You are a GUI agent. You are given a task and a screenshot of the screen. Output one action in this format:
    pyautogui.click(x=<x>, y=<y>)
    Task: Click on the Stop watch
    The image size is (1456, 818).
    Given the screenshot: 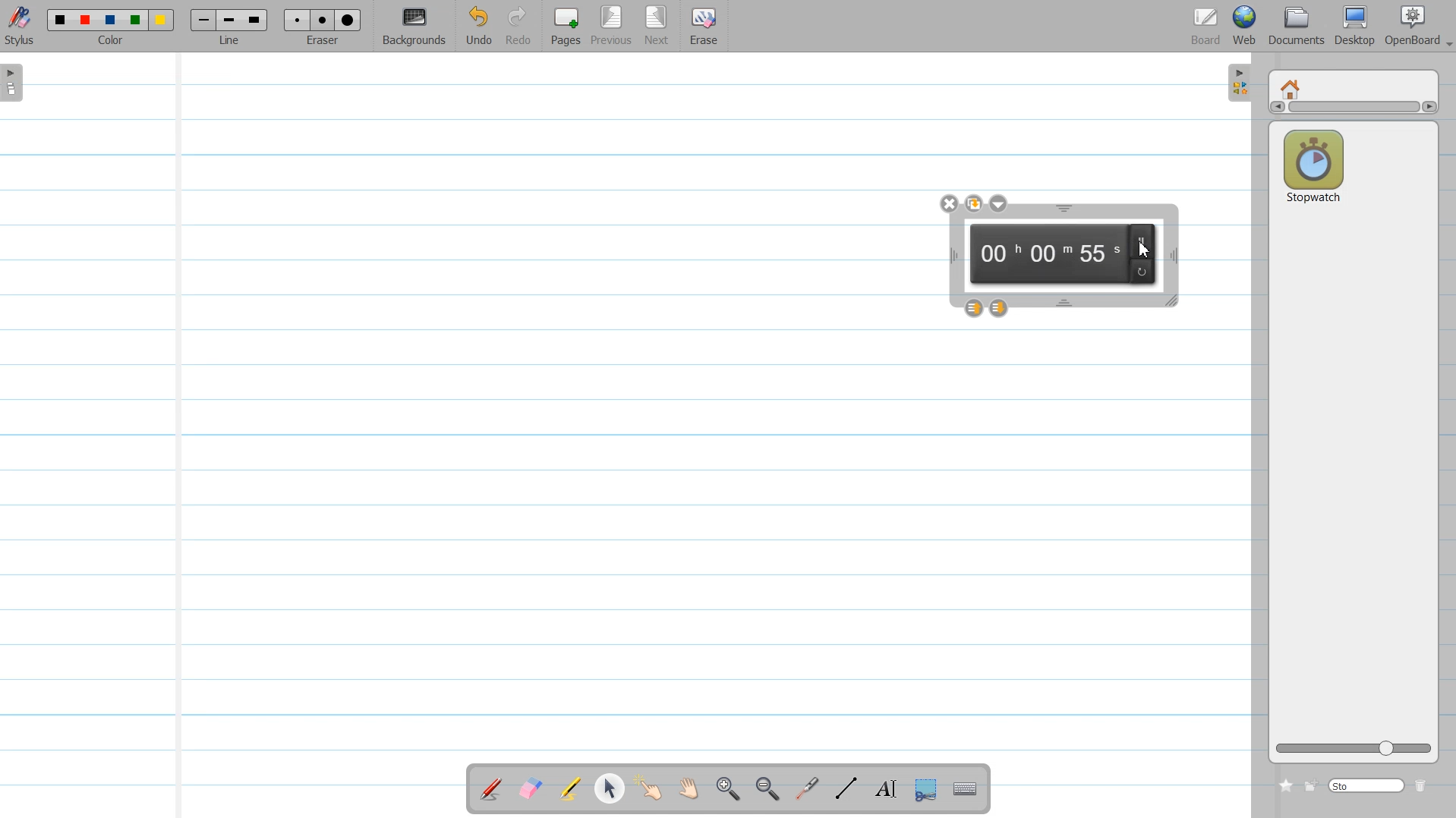 What is the action you would take?
    pyautogui.click(x=1313, y=162)
    